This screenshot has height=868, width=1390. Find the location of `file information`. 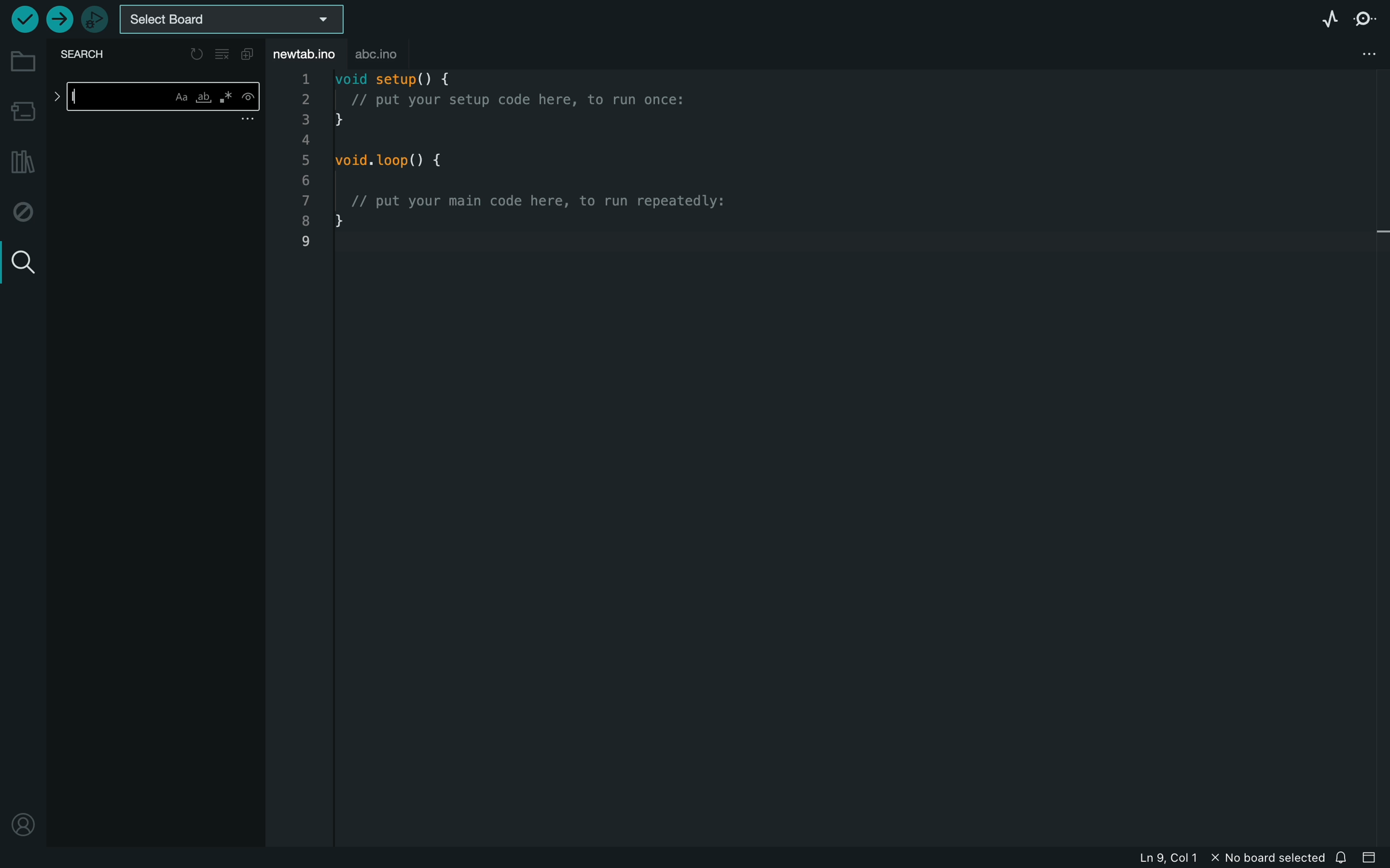

file information is located at coordinates (1212, 858).